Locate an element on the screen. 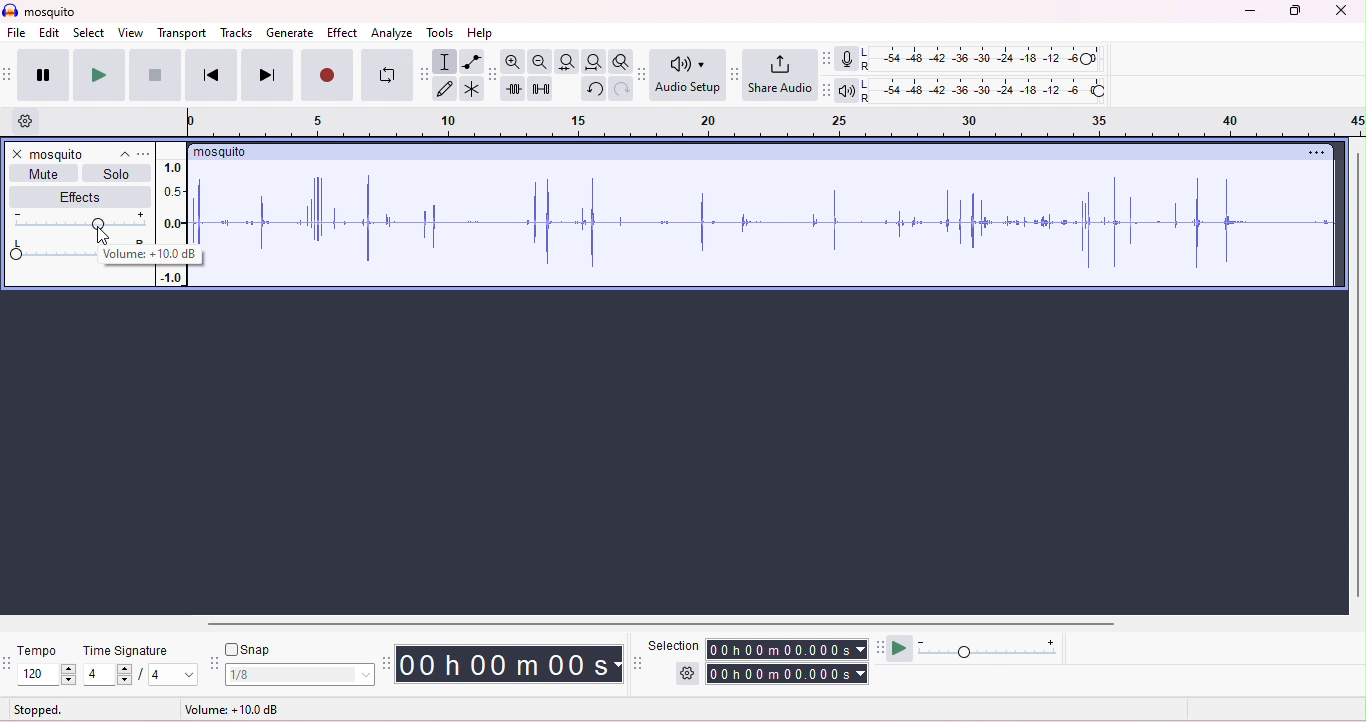 The width and height of the screenshot is (1366, 722). loop is located at coordinates (388, 74).